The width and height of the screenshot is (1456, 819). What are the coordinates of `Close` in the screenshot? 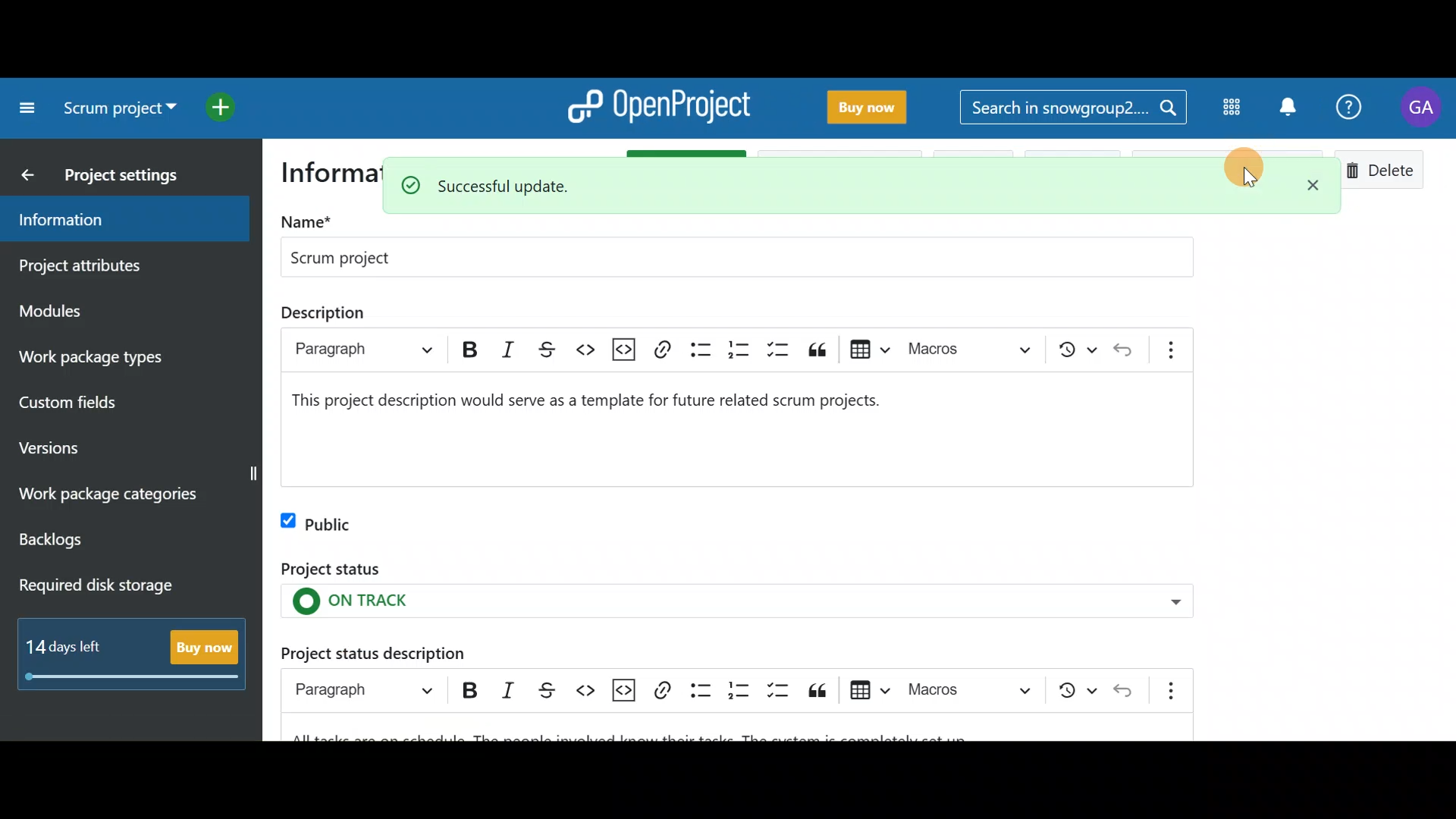 It's located at (1315, 178).